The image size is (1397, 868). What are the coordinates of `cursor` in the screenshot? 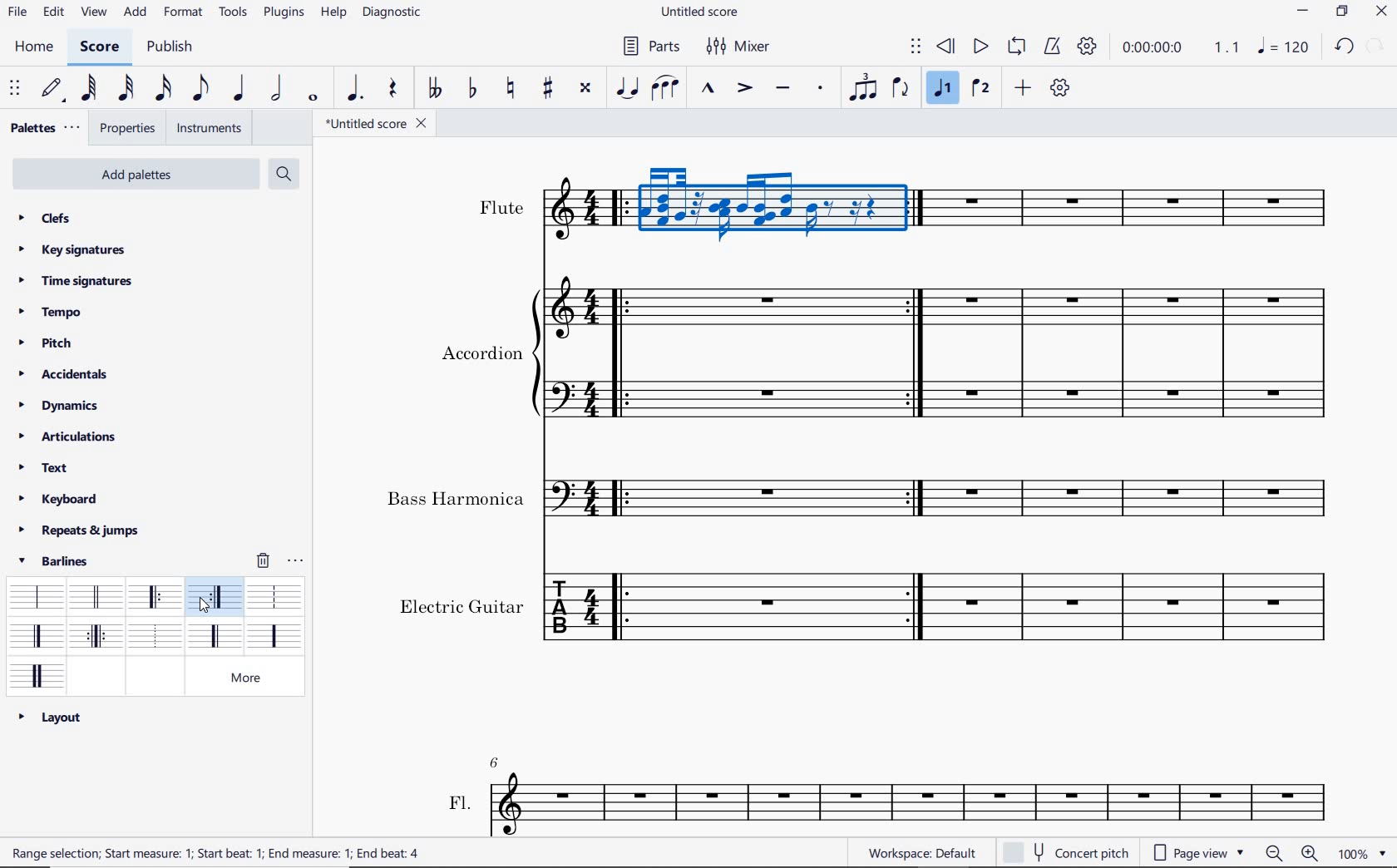 It's located at (204, 608).